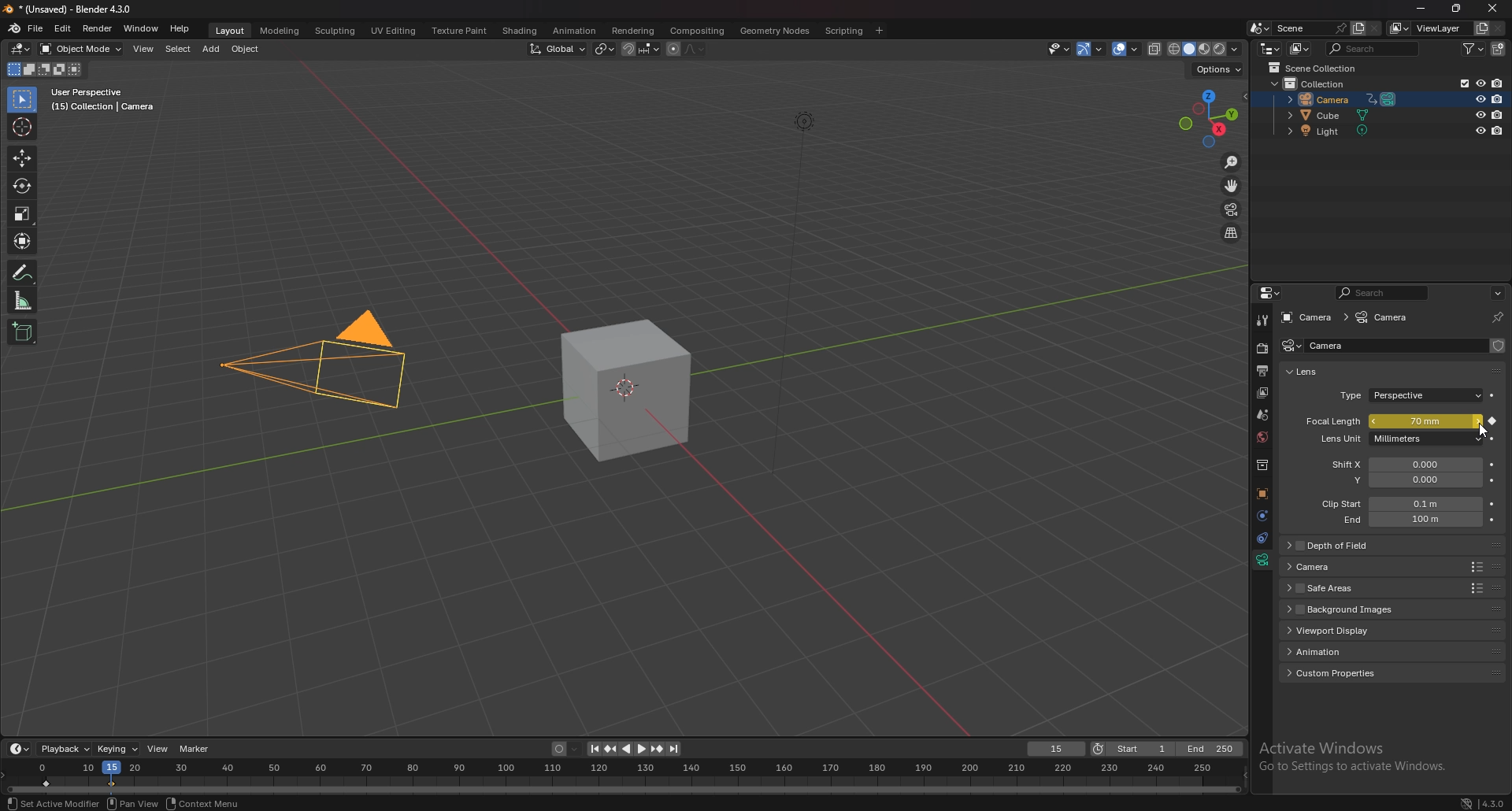  What do you see at coordinates (139, 803) in the screenshot?
I see `` at bounding box center [139, 803].